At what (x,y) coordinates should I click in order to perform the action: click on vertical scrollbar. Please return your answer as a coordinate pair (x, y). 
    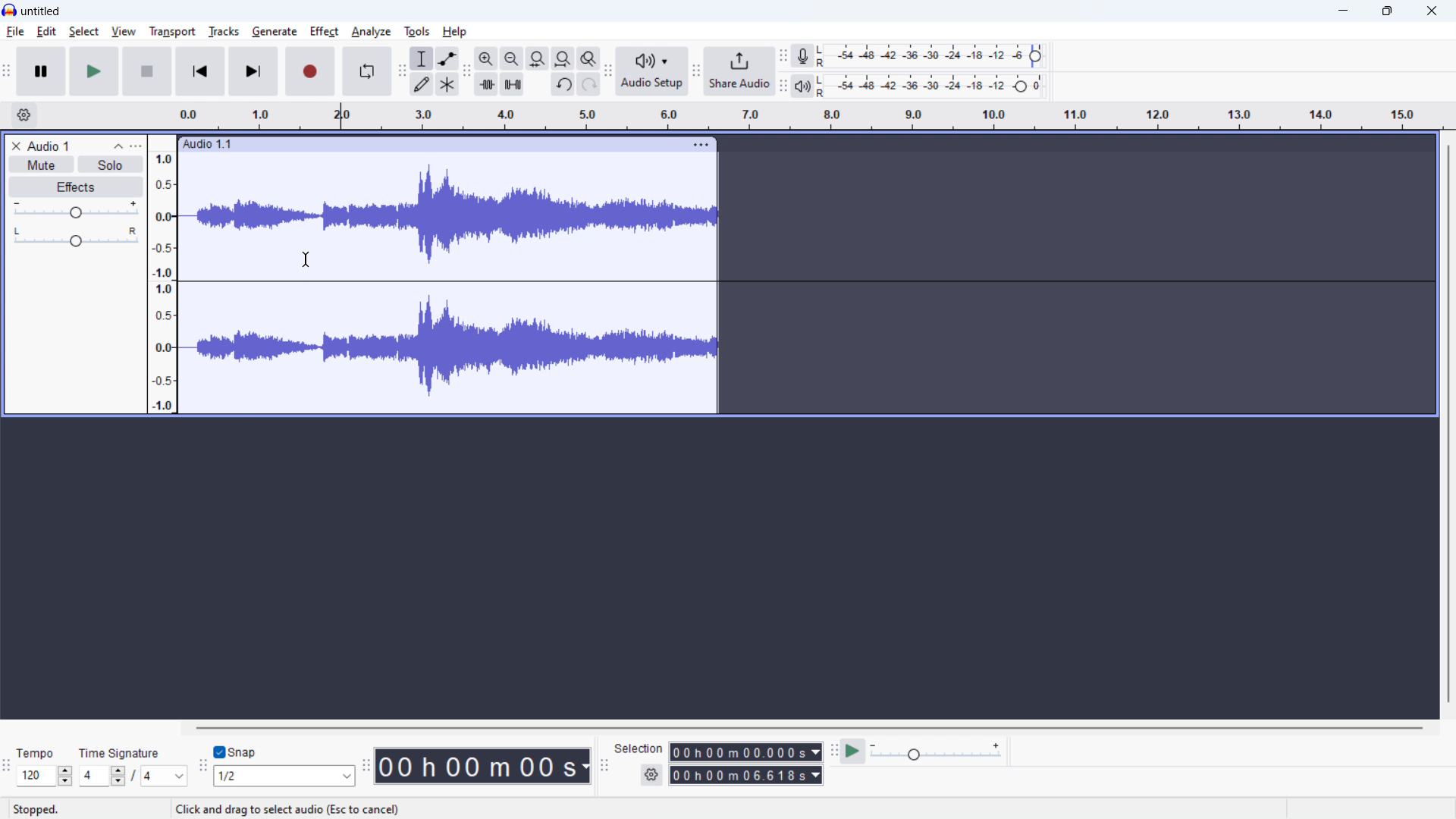
    Looking at the image, I should click on (1451, 422).